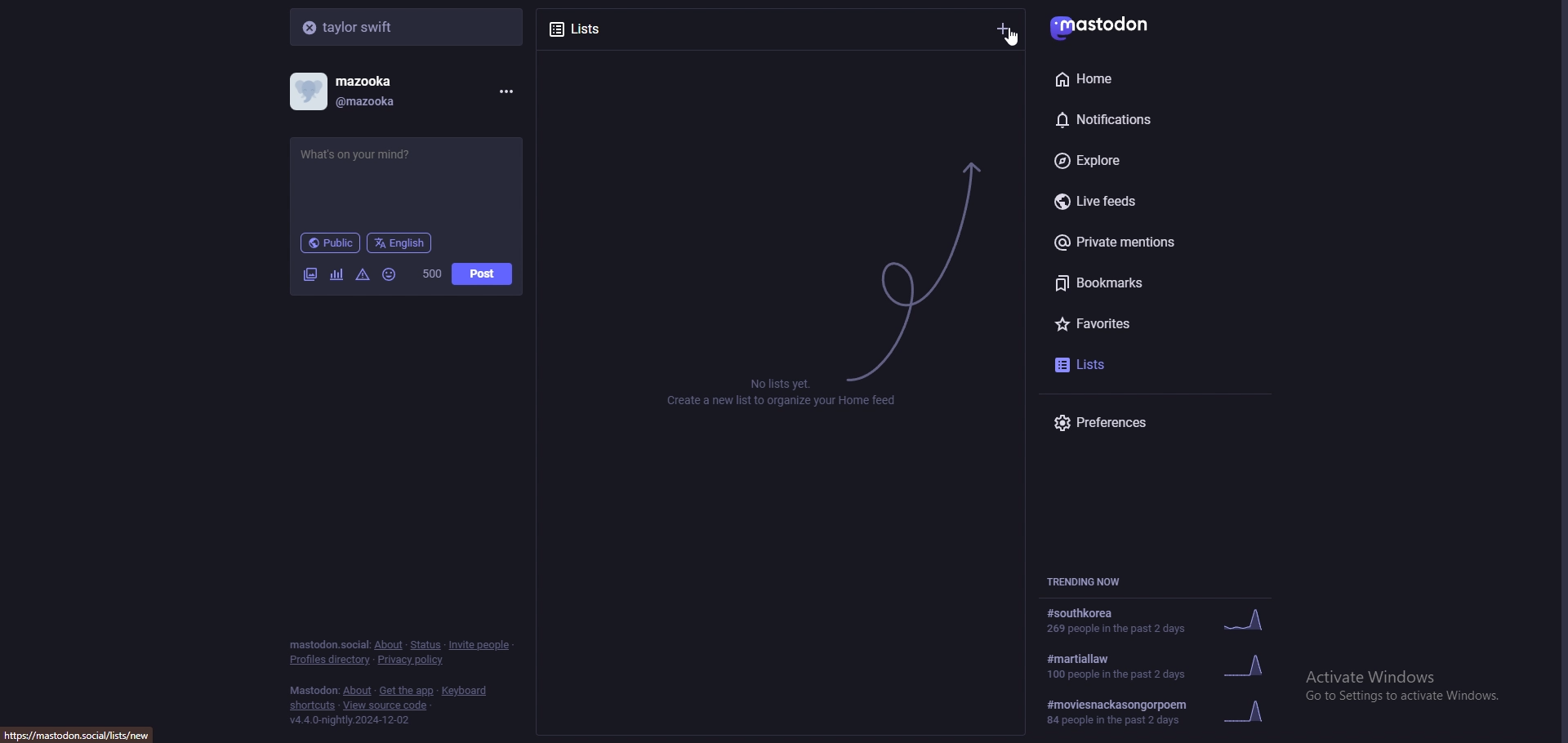 Image resolution: width=1568 pixels, height=743 pixels. Describe the element at coordinates (330, 242) in the screenshot. I see `audience` at that location.